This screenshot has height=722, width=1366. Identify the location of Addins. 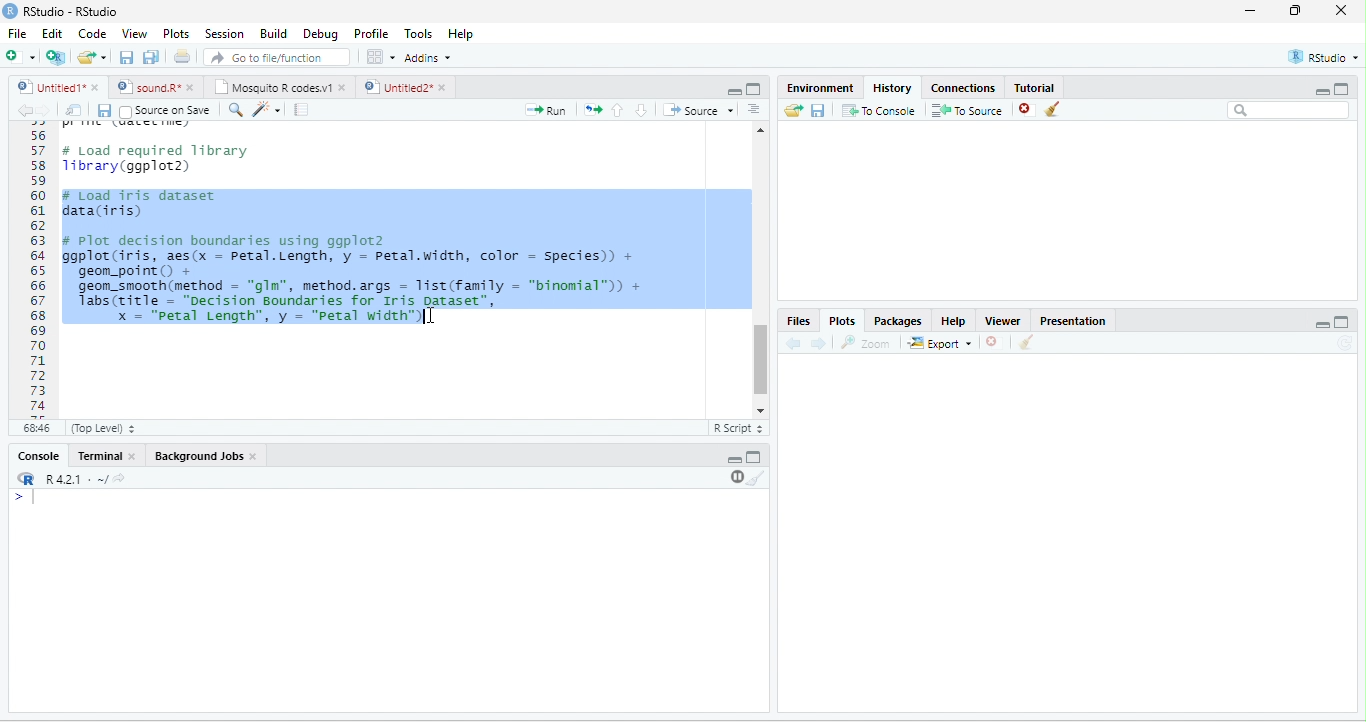
(428, 58).